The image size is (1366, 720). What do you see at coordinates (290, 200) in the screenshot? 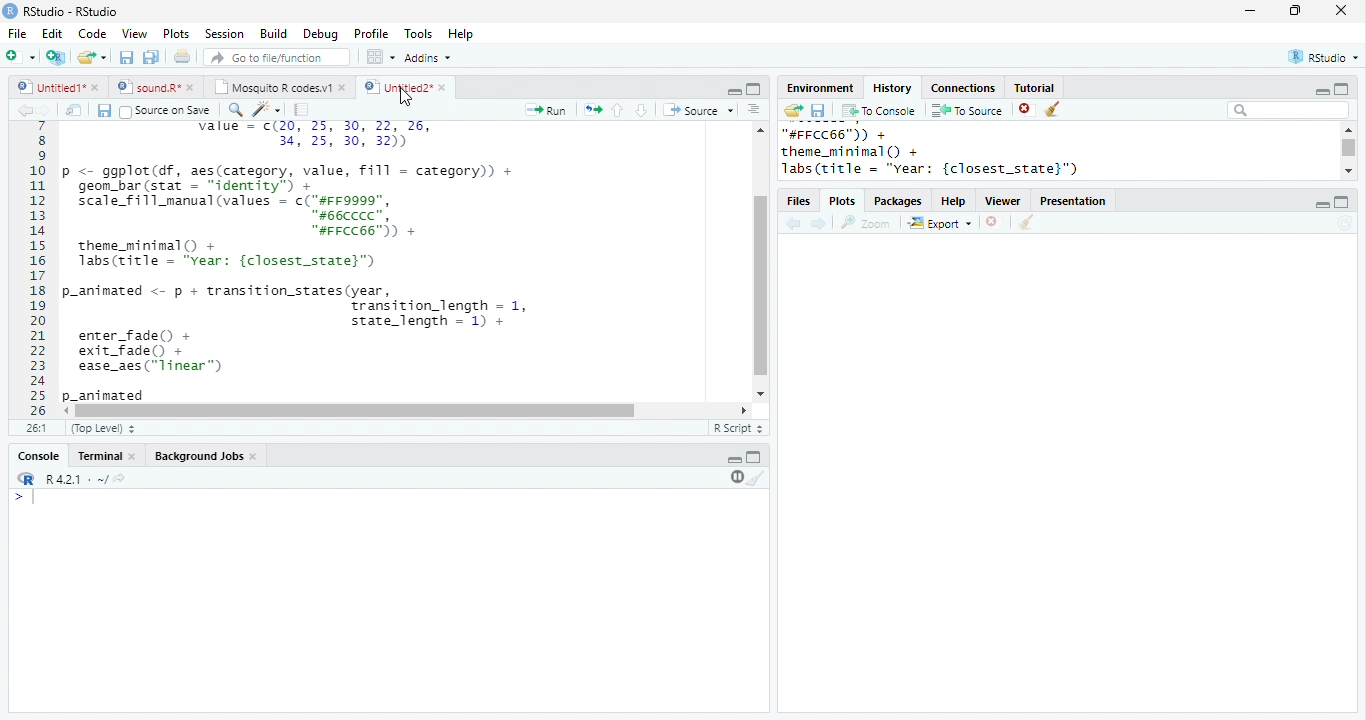
I see `p <- ggplot(df, aes(category, value, fill = category)) +geom_bar (stat = “identity” +scale_fill_manual (values = c("#FF9999",#66cCCC”,“#FFCC66")) +` at bounding box center [290, 200].